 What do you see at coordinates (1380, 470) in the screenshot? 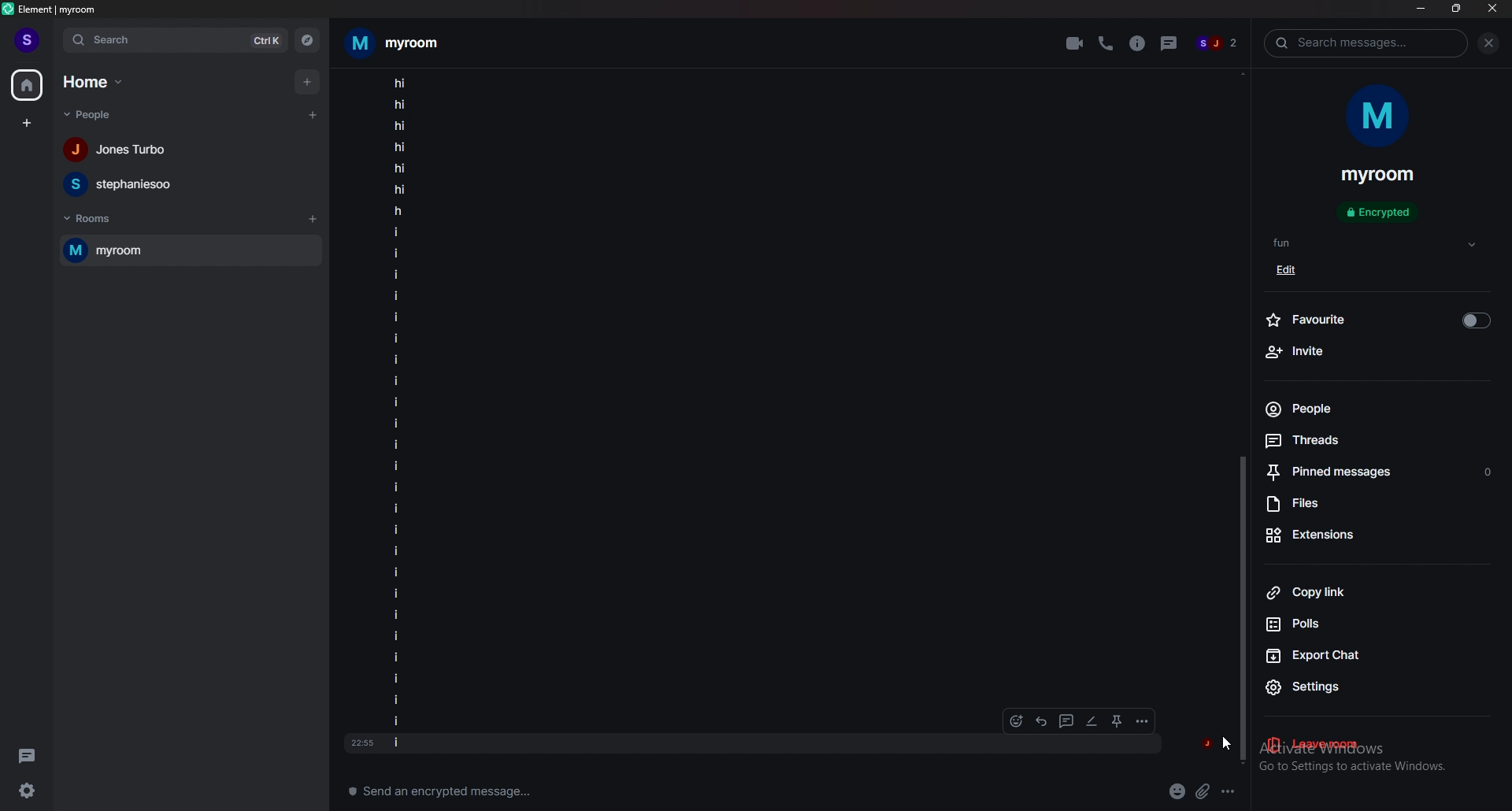
I see `pinned messages` at bounding box center [1380, 470].